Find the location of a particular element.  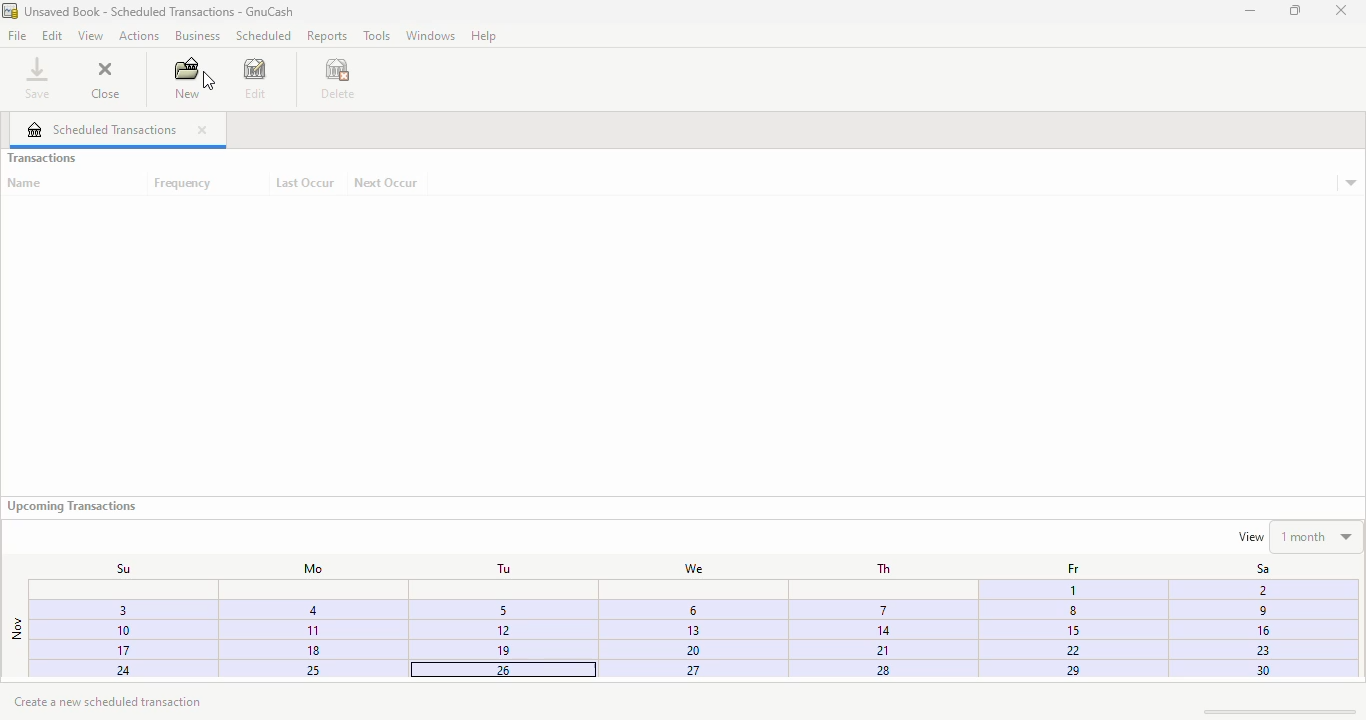

10 is located at coordinates (106, 631).